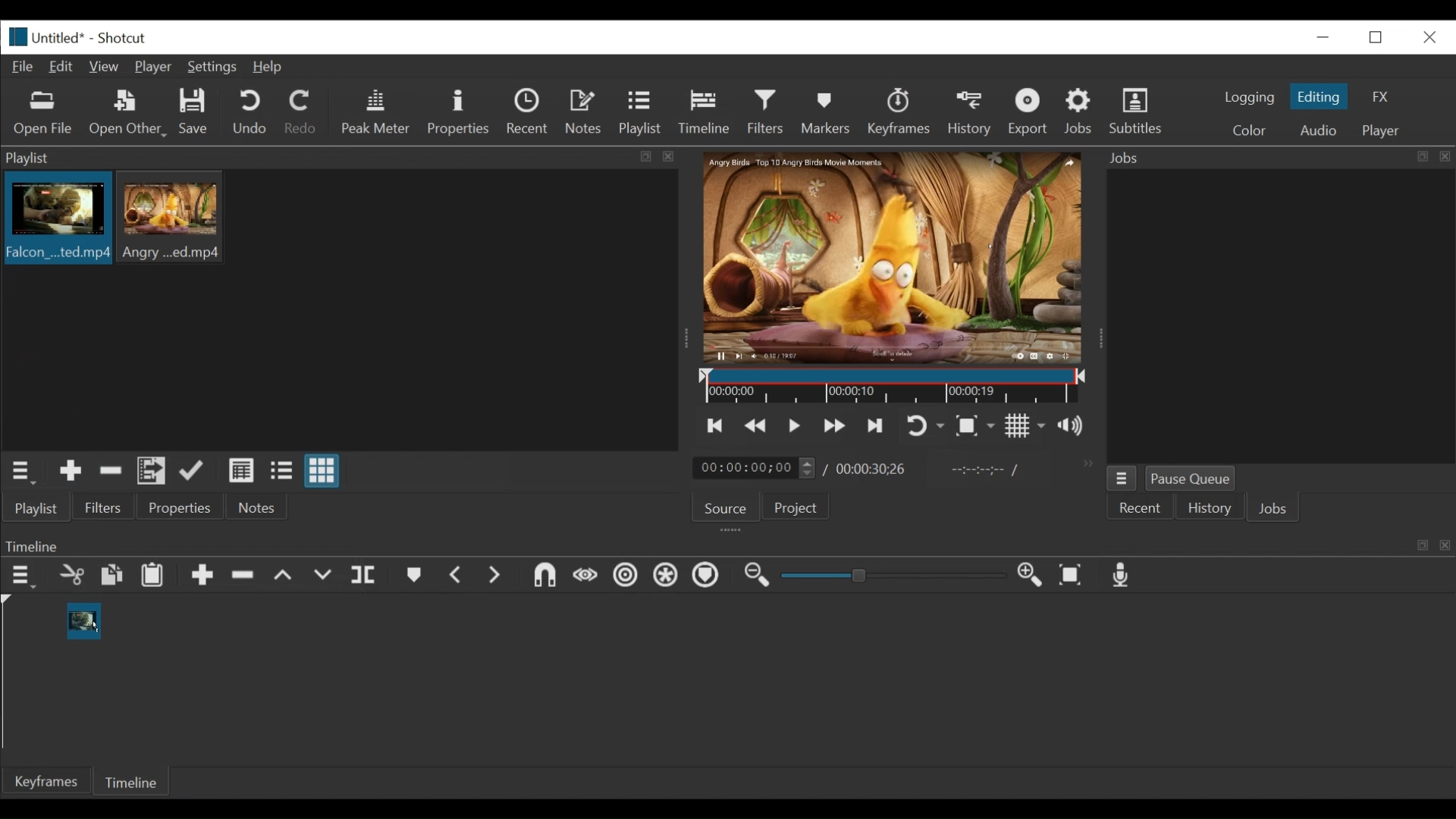 Image resolution: width=1456 pixels, height=819 pixels. Describe the element at coordinates (795, 425) in the screenshot. I see `Toggle play or pause` at that location.